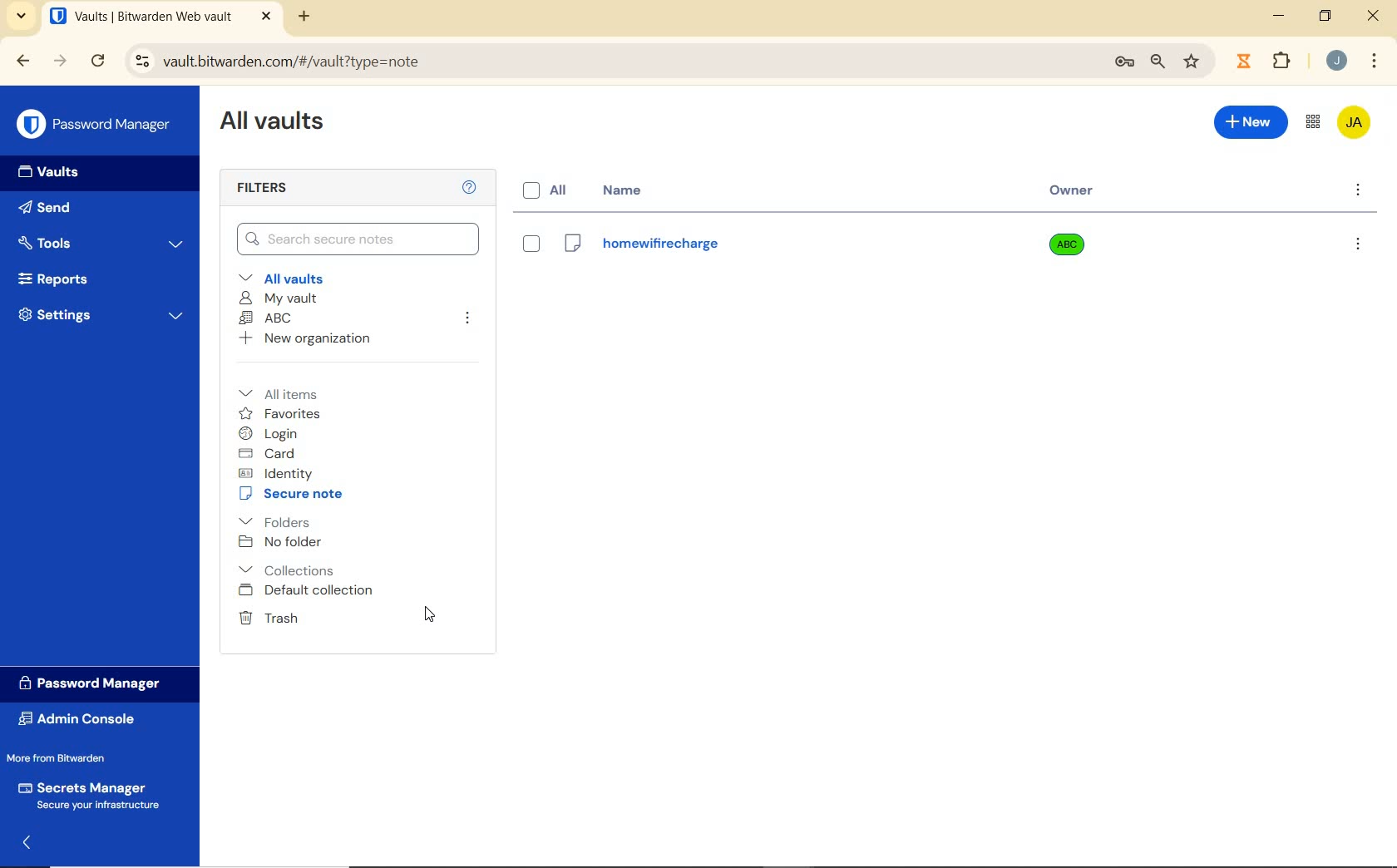  What do you see at coordinates (95, 125) in the screenshot?
I see `Password Manager` at bounding box center [95, 125].